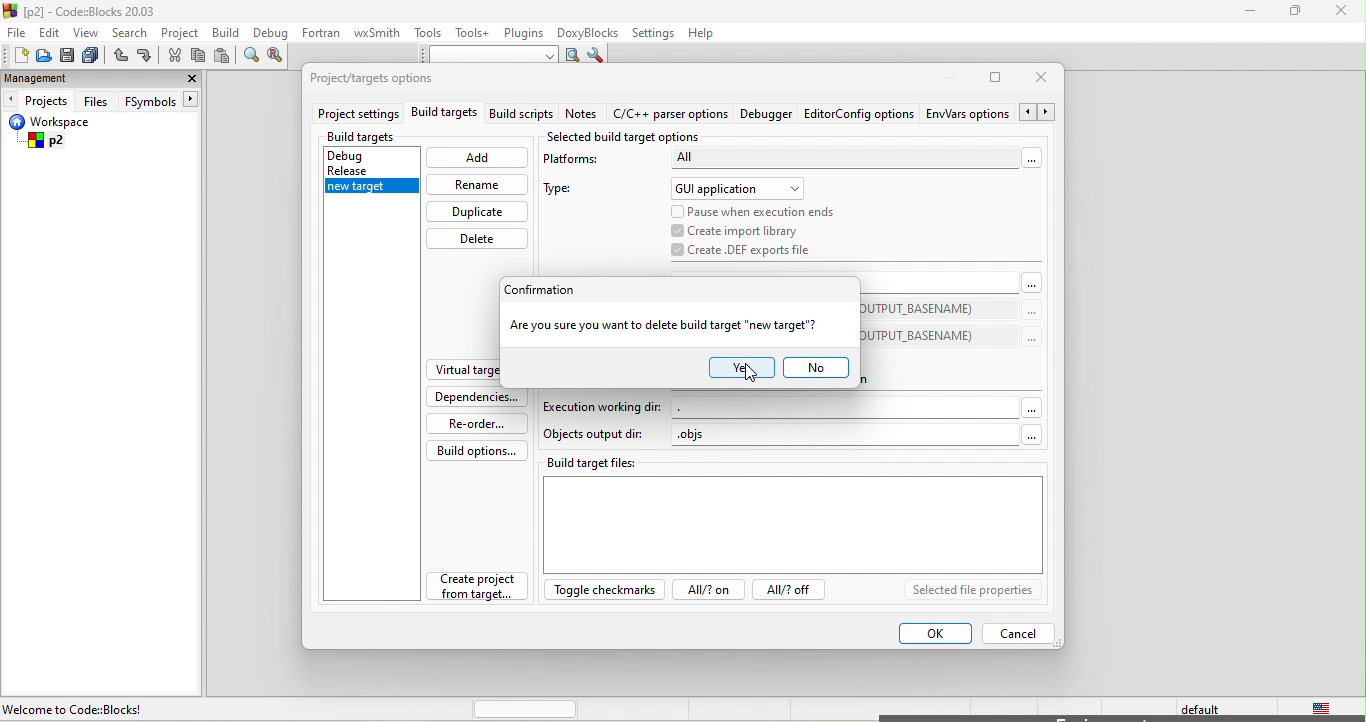 This screenshot has height=722, width=1366. What do you see at coordinates (365, 153) in the screenshot?
I see `debug` at bounding box center [365, 153].